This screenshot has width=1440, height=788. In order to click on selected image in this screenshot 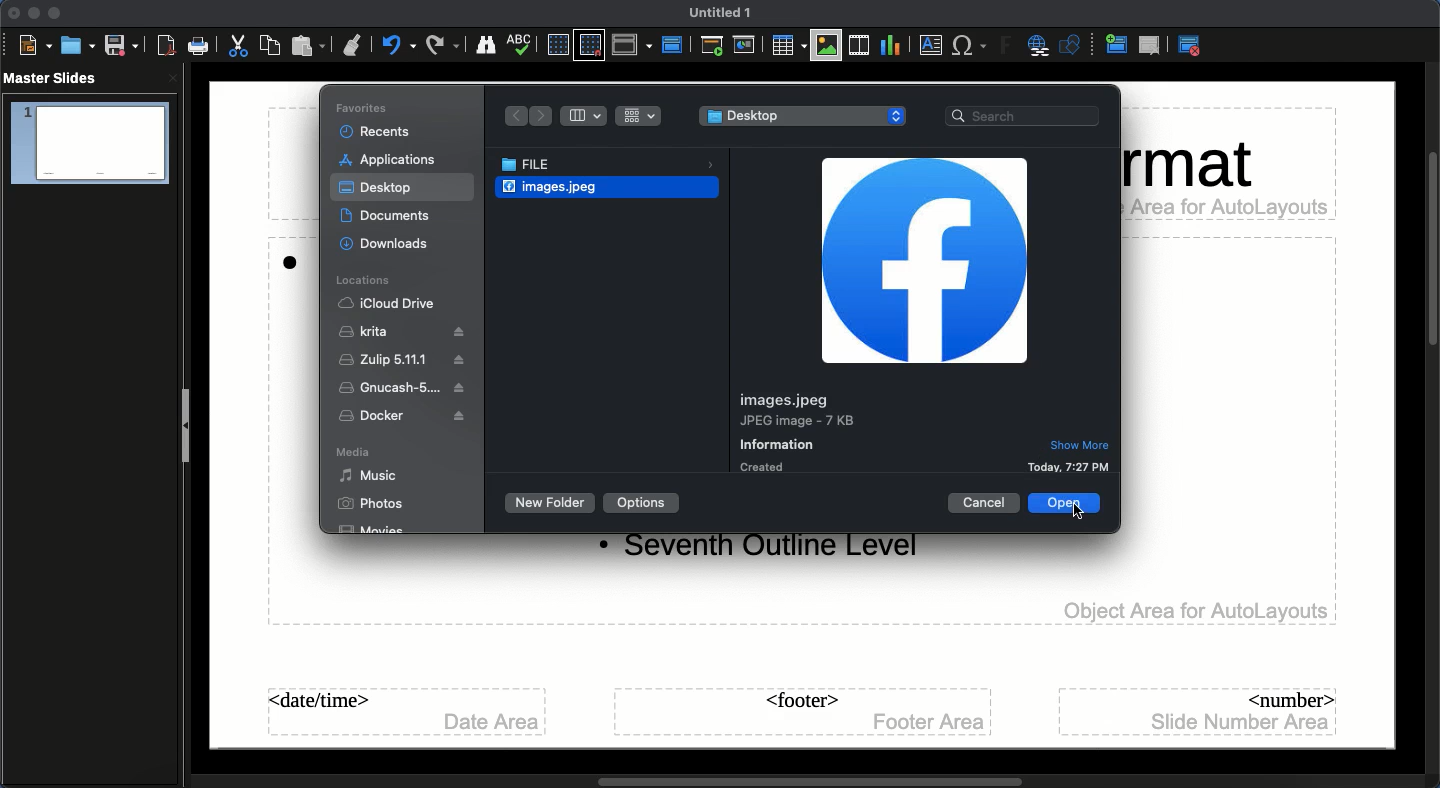, I will do `click(546, 187)`.